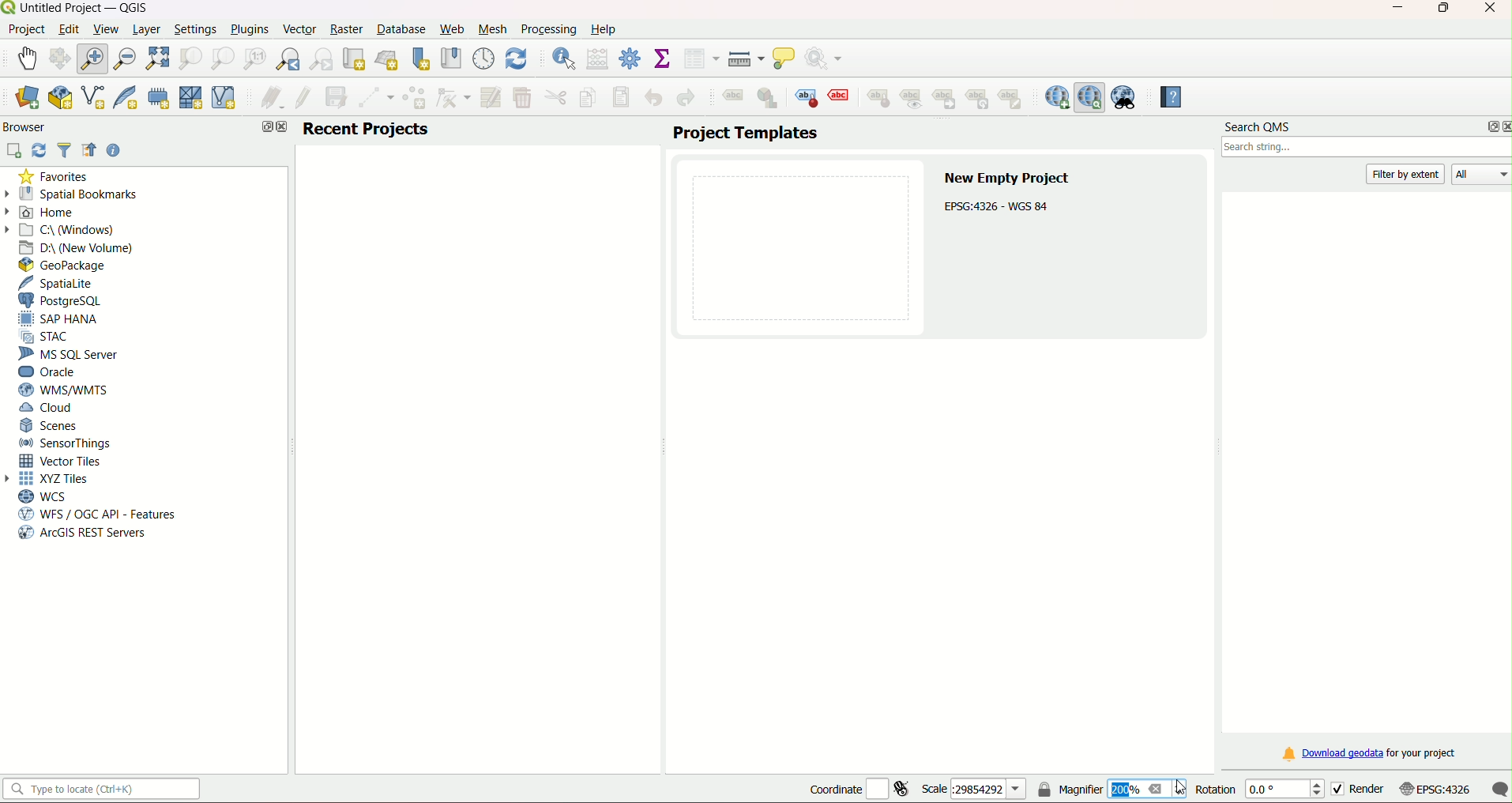  What do you see at coordinates (450, 58) in the screenshot?
I see `show spatial bookmark` at bounding box center [450, 58].